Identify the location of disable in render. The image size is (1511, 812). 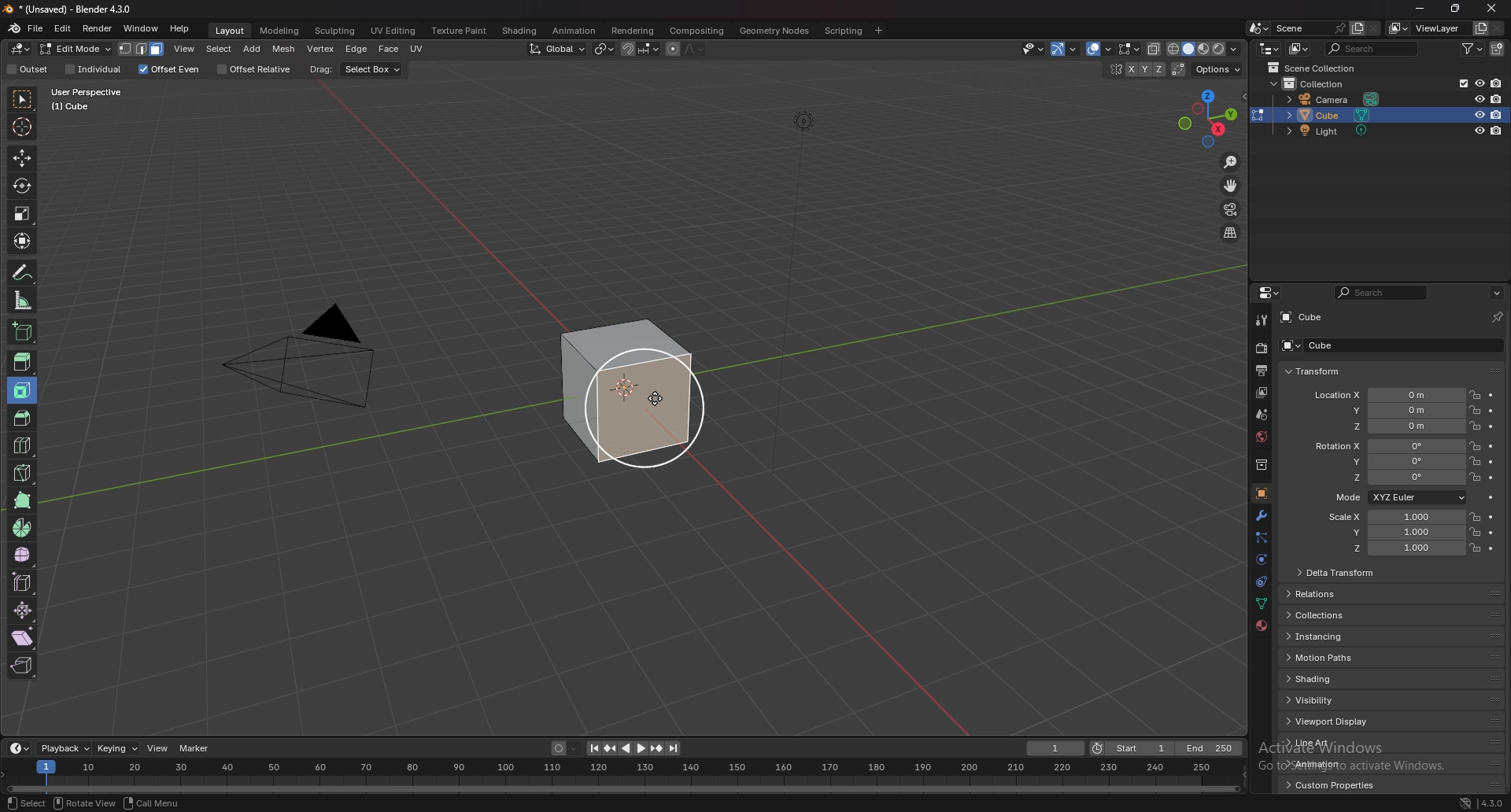
(1498, 131).